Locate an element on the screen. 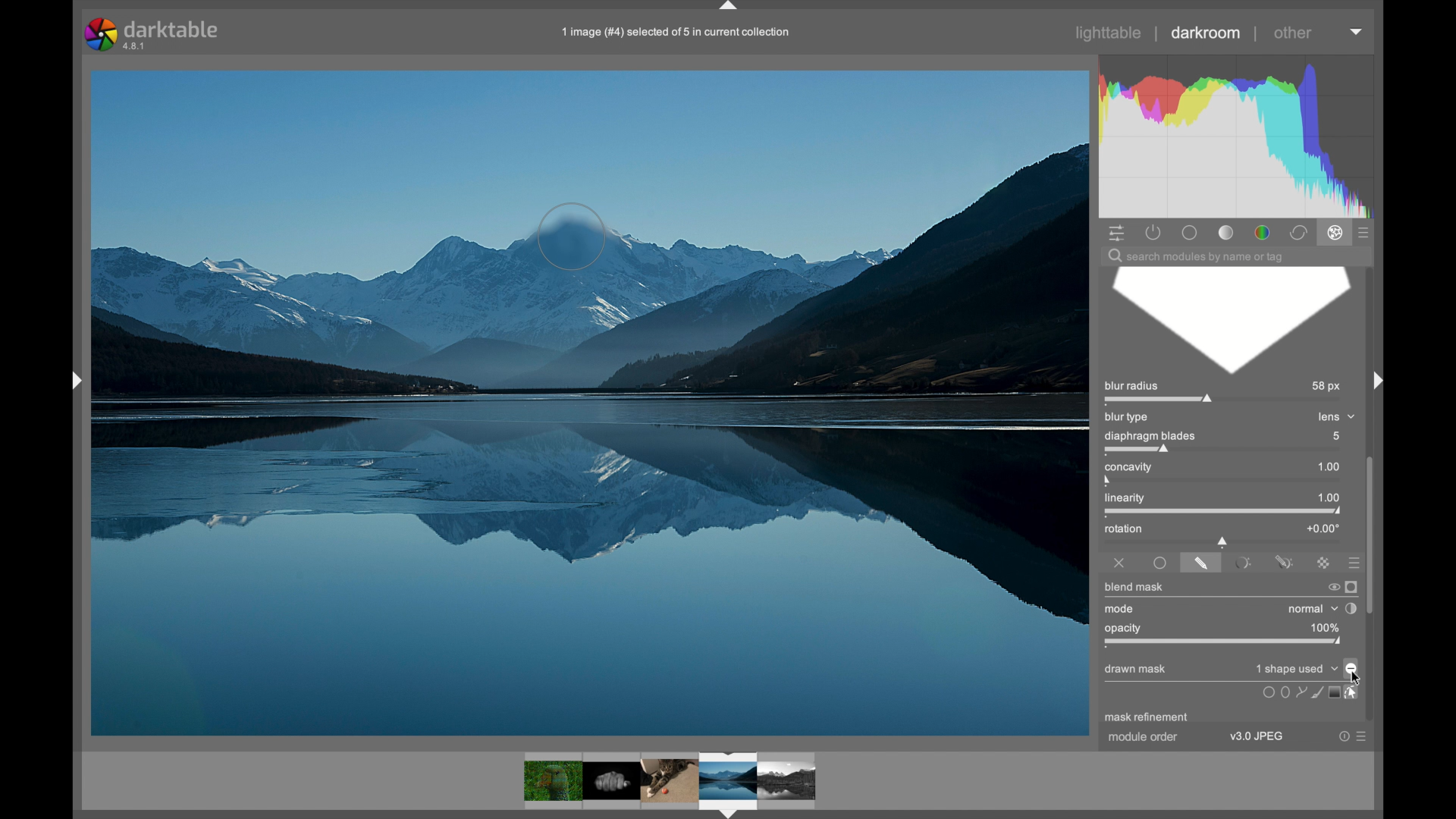 The image size is (1456, 819). no mask used dropdown is located at coordinates (1294, 670).